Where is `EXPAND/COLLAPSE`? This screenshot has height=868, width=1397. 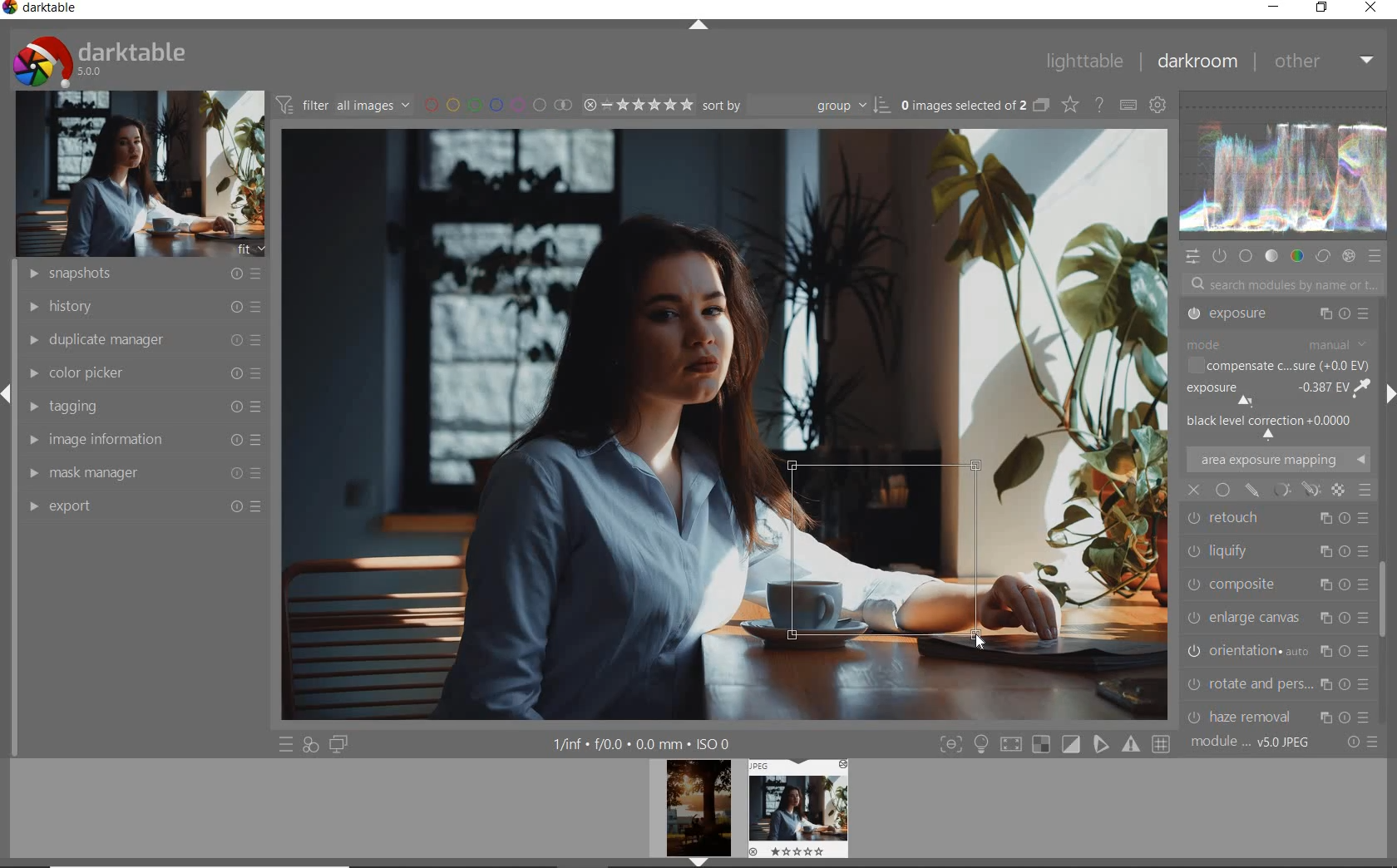 EXPAND/COLLAPSE is located at coordinates (699, 26).